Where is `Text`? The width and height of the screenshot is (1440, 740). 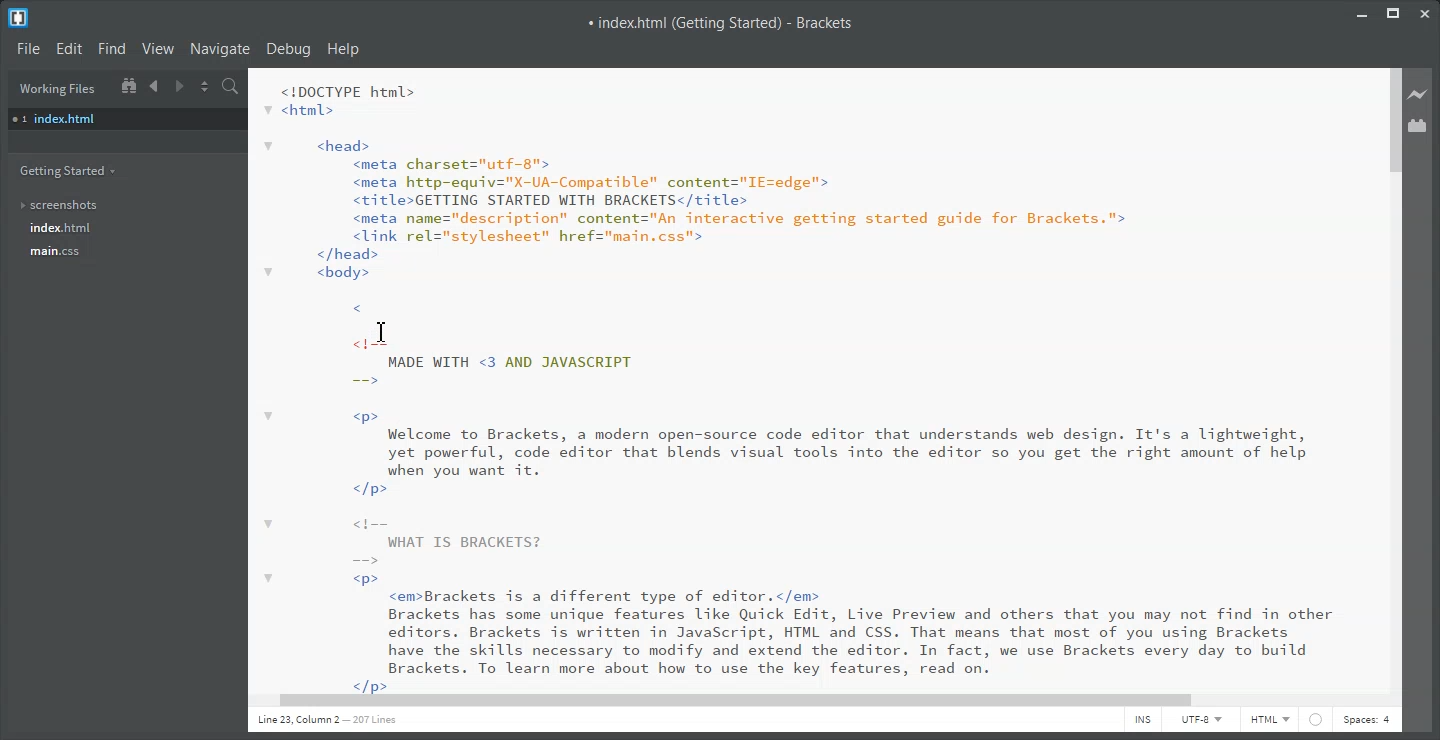 Text is located at coordinates (722, 24).